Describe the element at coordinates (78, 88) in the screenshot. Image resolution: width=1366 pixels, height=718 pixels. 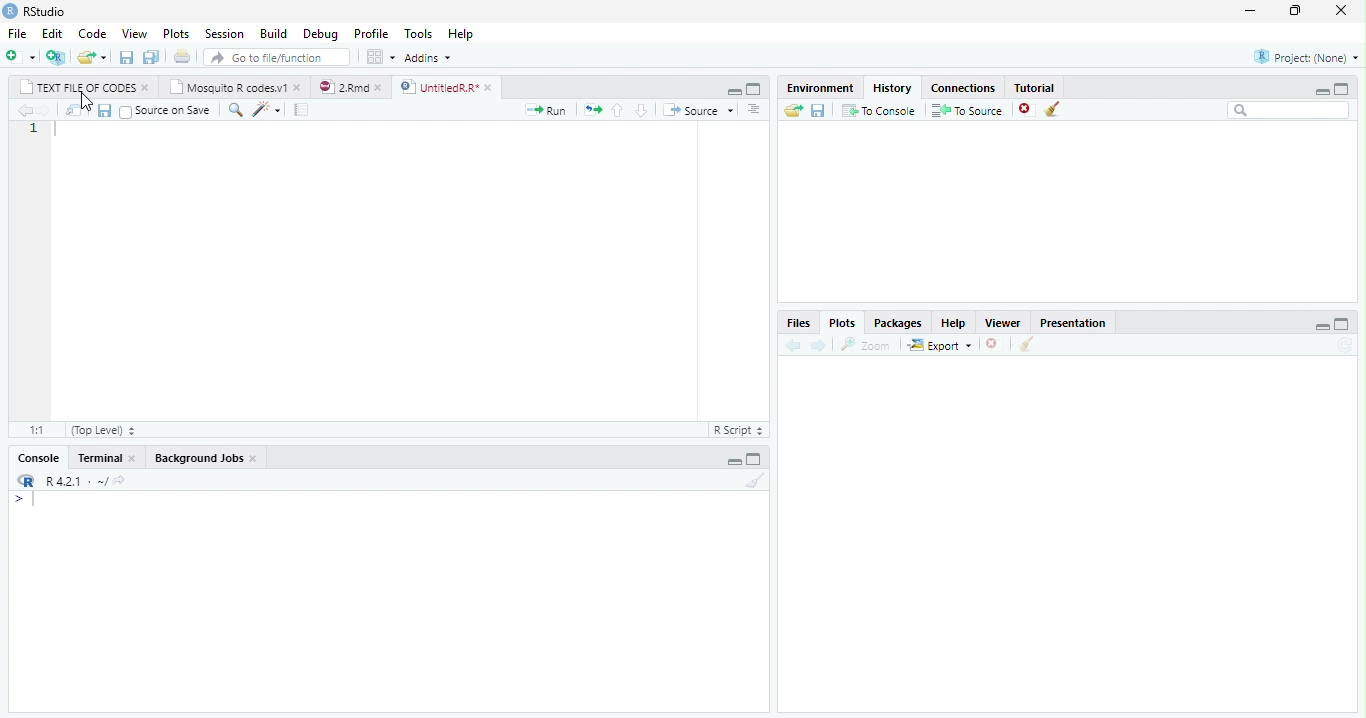
I see `text file of codes` at that location.